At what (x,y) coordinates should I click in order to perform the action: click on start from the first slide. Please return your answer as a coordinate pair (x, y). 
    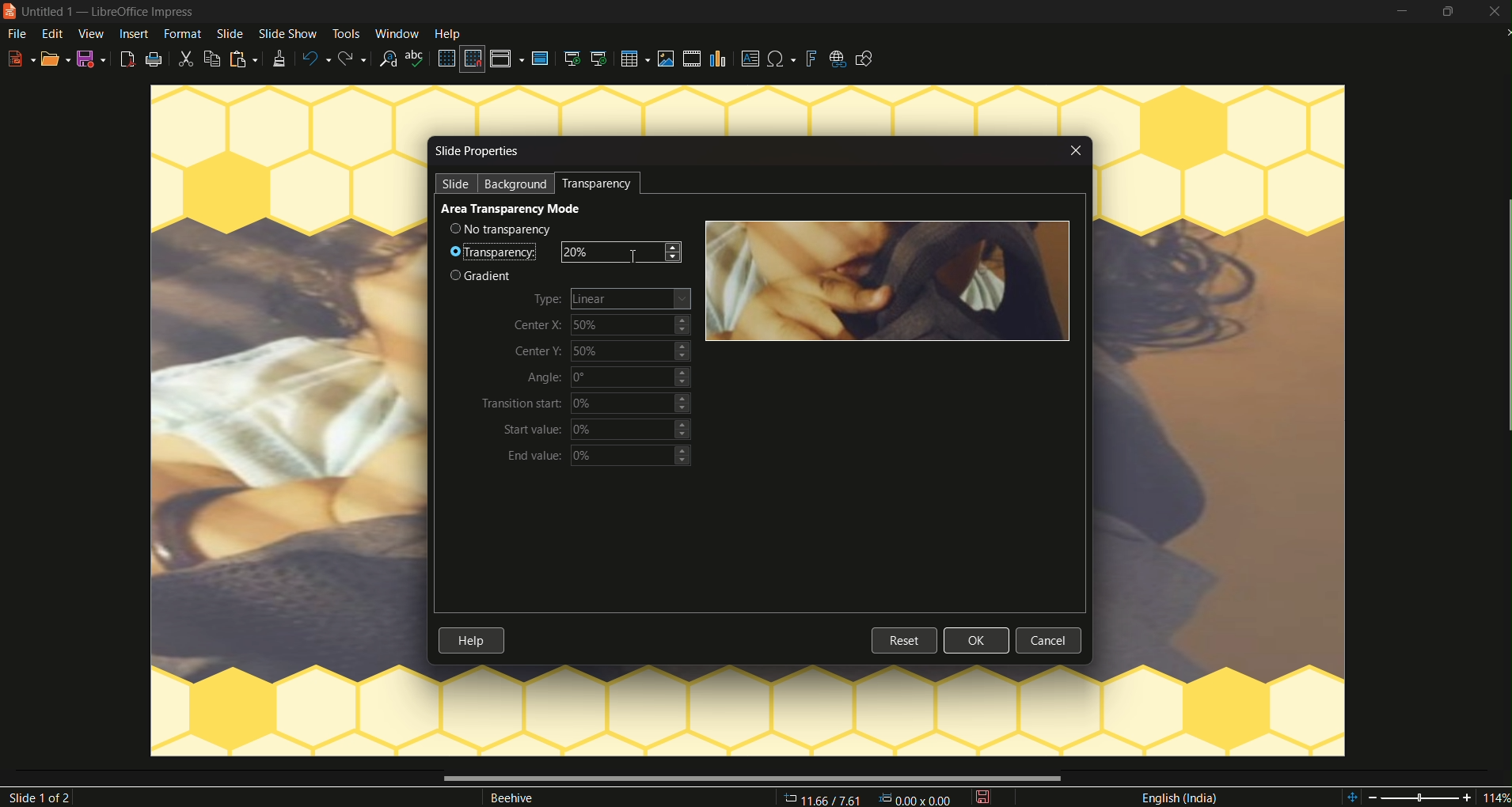
    Looking at the image, I should click on (572, 59).